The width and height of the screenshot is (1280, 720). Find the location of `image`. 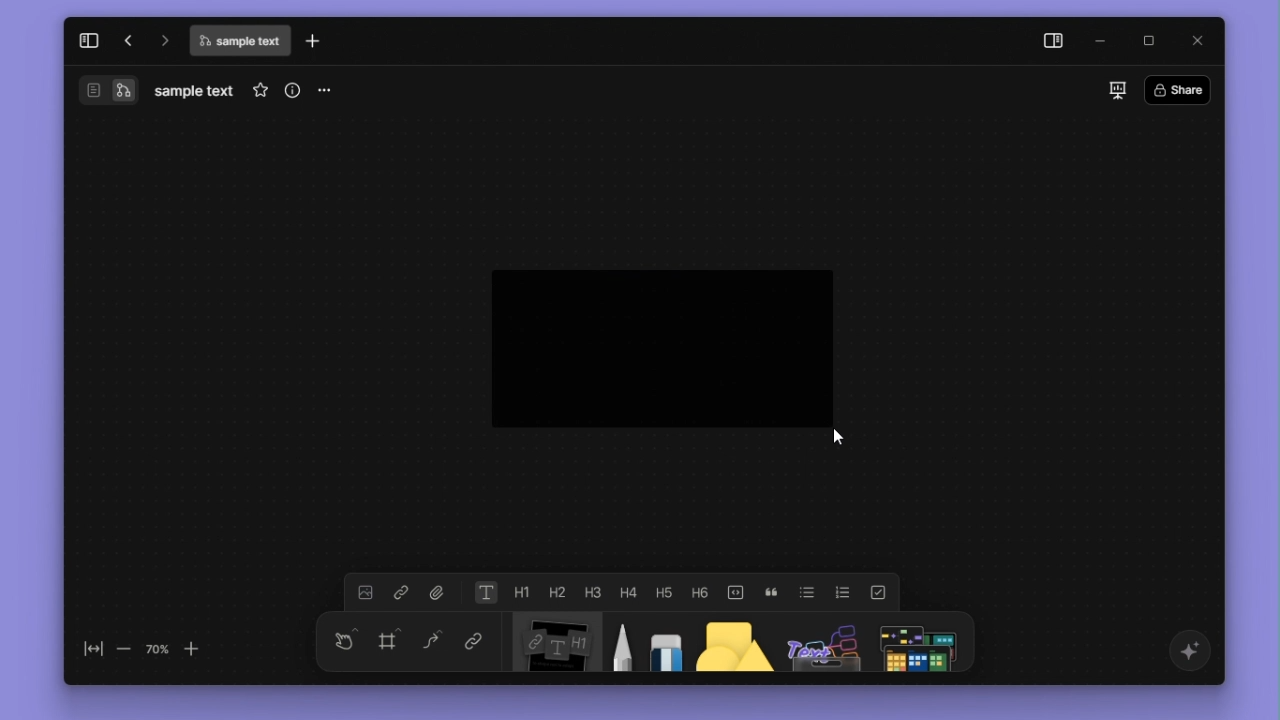

image is located at coordinates (364, 593).